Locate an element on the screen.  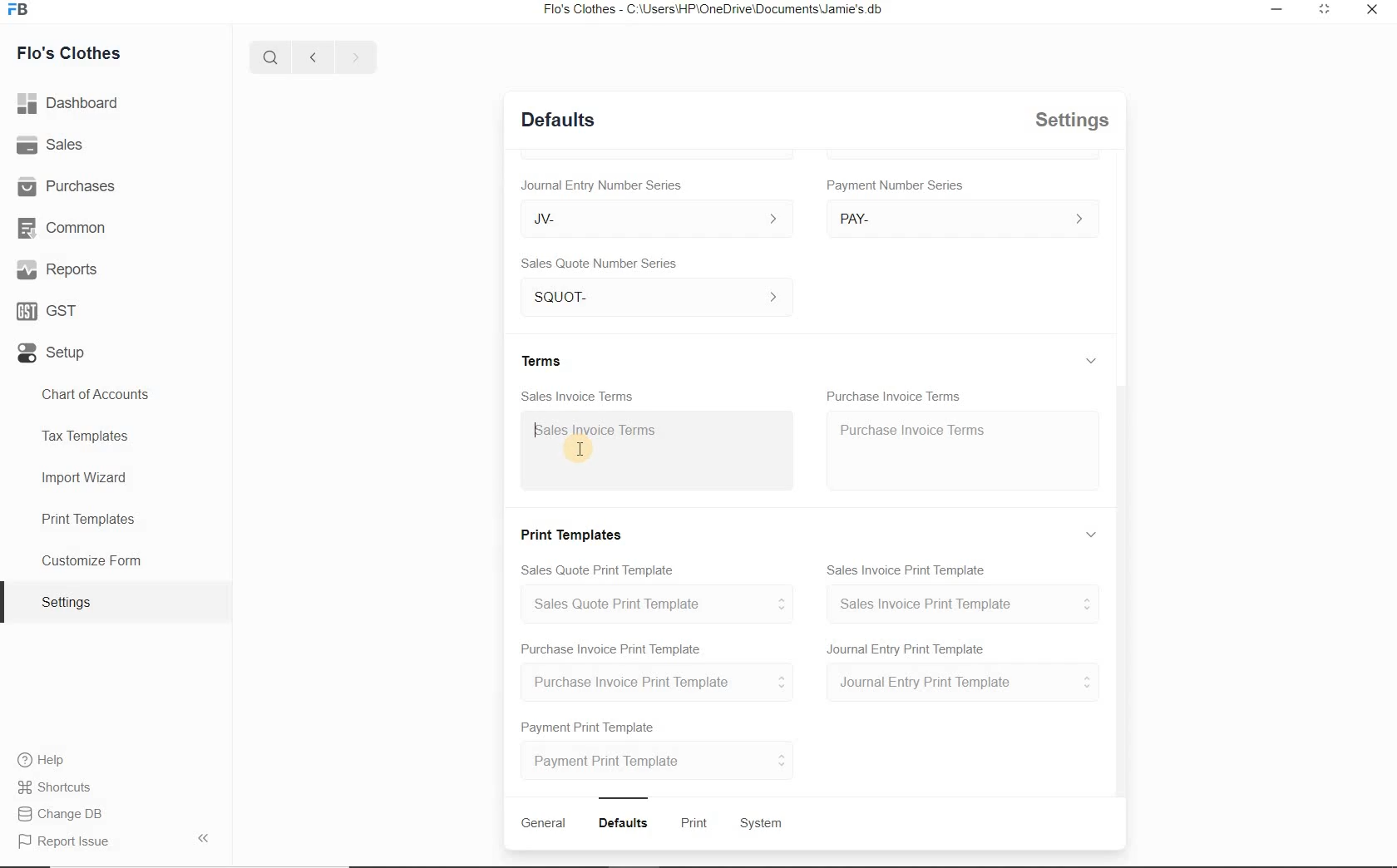
Sales Invoice Print Template is located at coordinates (909, 567).